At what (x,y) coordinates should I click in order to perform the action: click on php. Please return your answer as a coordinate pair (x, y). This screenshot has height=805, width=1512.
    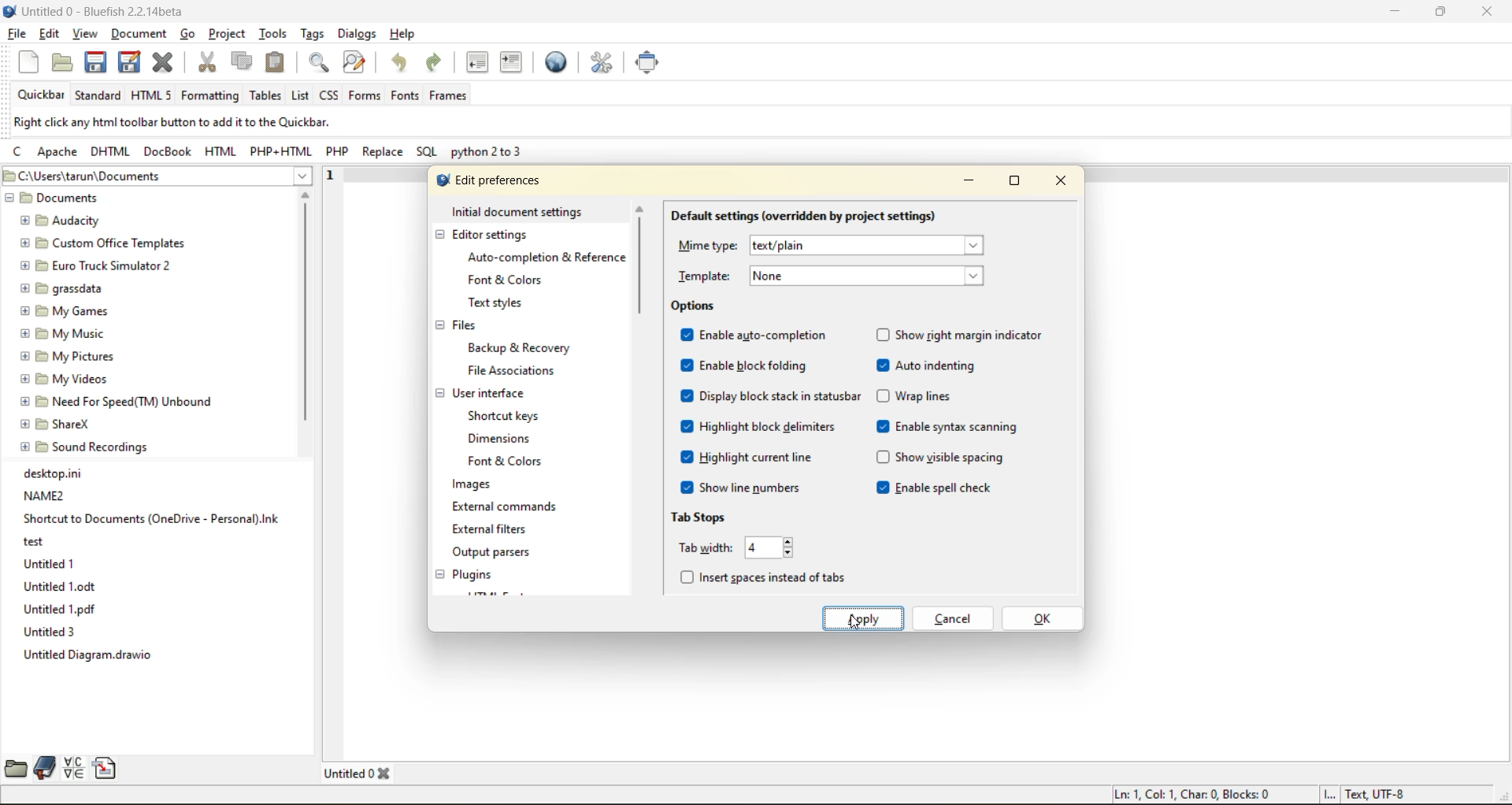
    Looking at the image, I should click on (338, 153).